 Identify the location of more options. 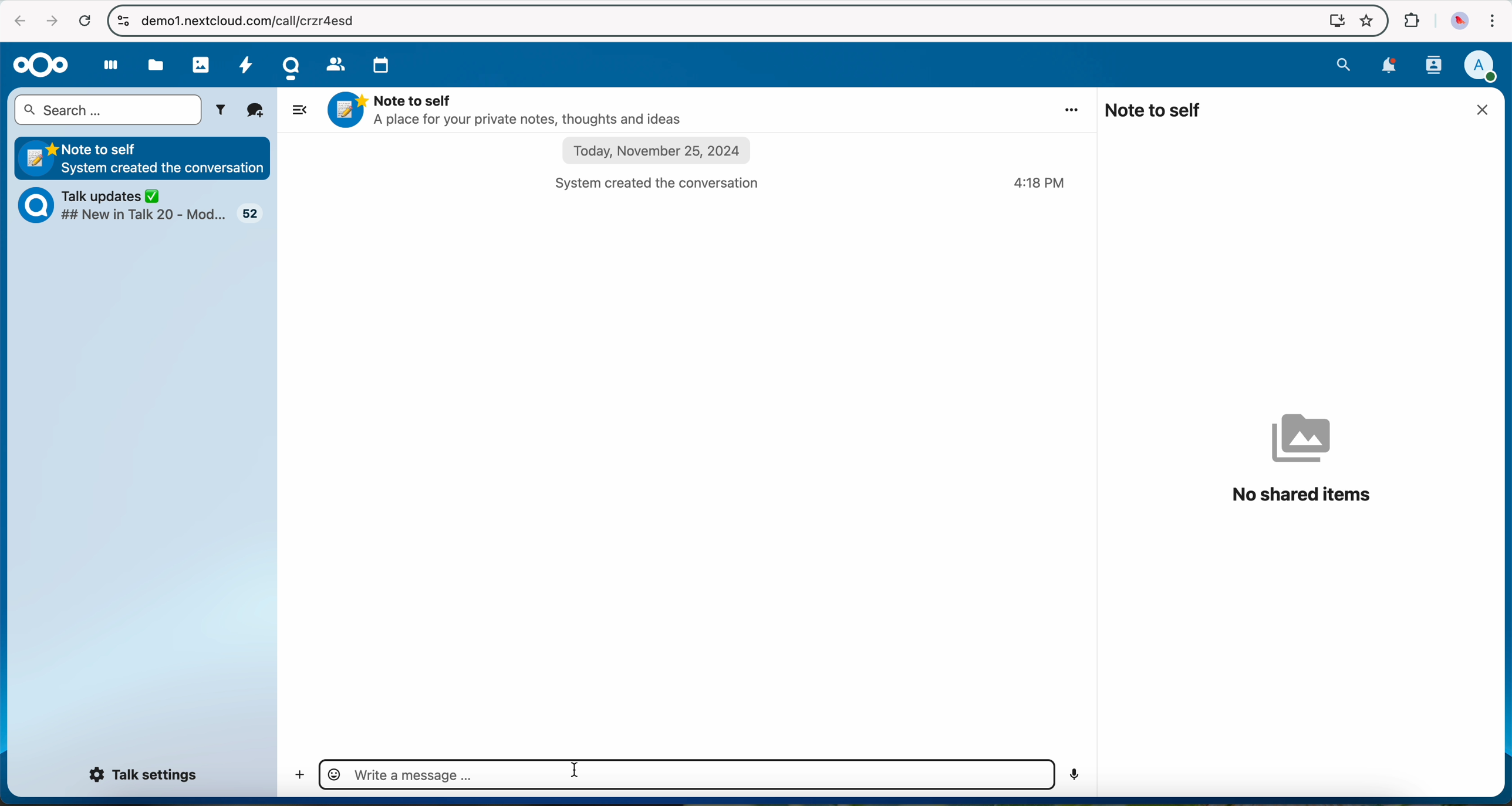
(1074, 109).